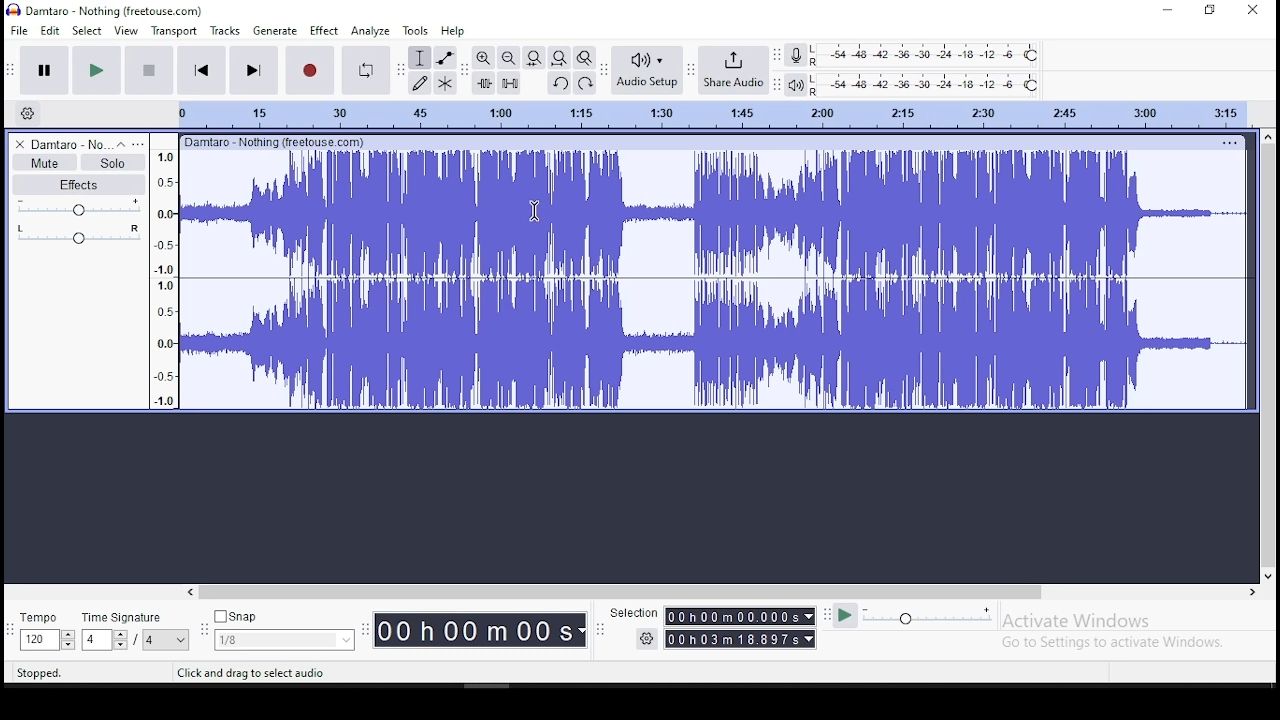 The image size is (1280, 720). What do you see at coordinates (532, 209) in the screenshot?
I see `mouse pointer` at bounding box center [532, 209].